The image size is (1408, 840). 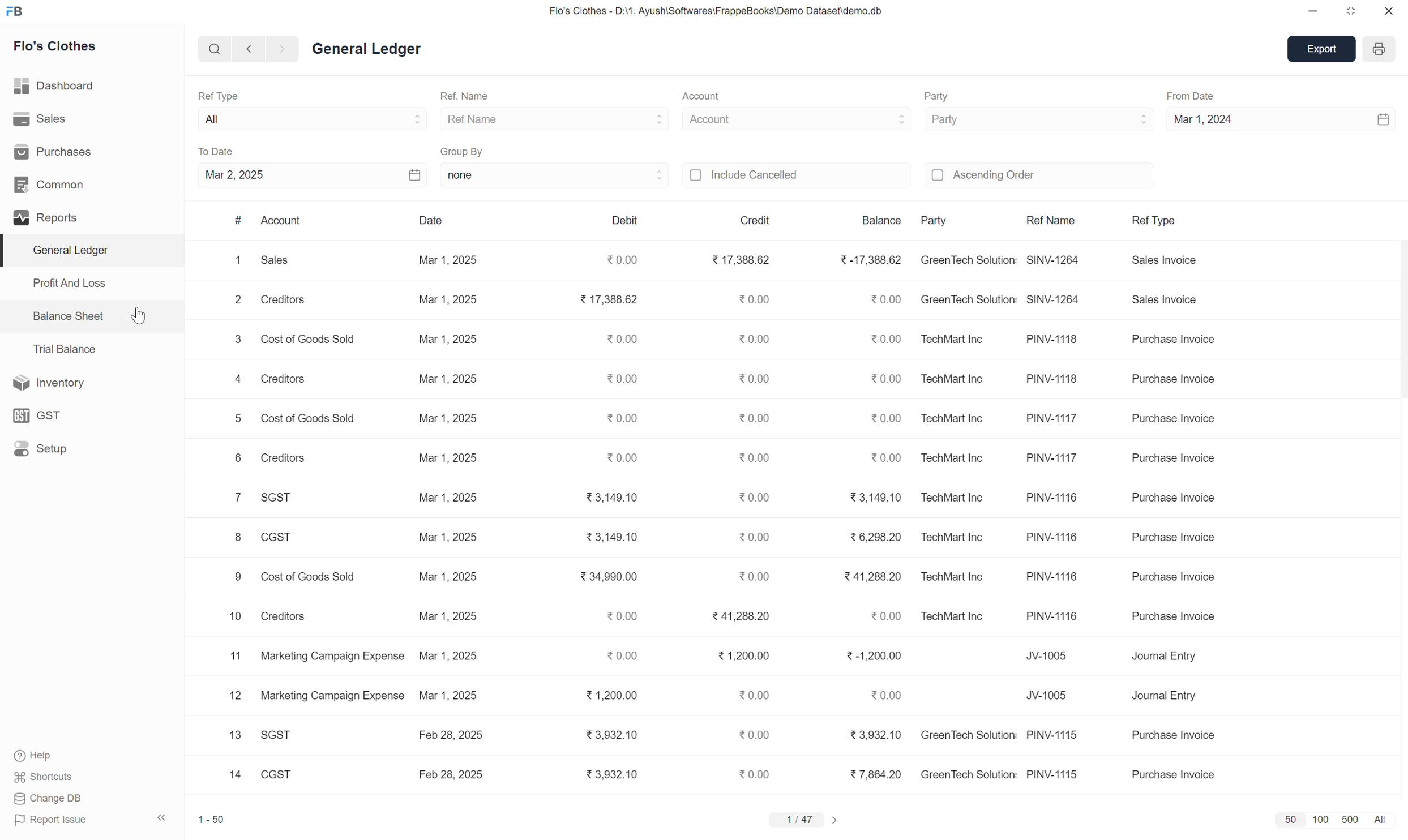 What do you see at coordinates (604, 300) in the screenshot?
I see `17,388.62` at bounding box center [604, 300].